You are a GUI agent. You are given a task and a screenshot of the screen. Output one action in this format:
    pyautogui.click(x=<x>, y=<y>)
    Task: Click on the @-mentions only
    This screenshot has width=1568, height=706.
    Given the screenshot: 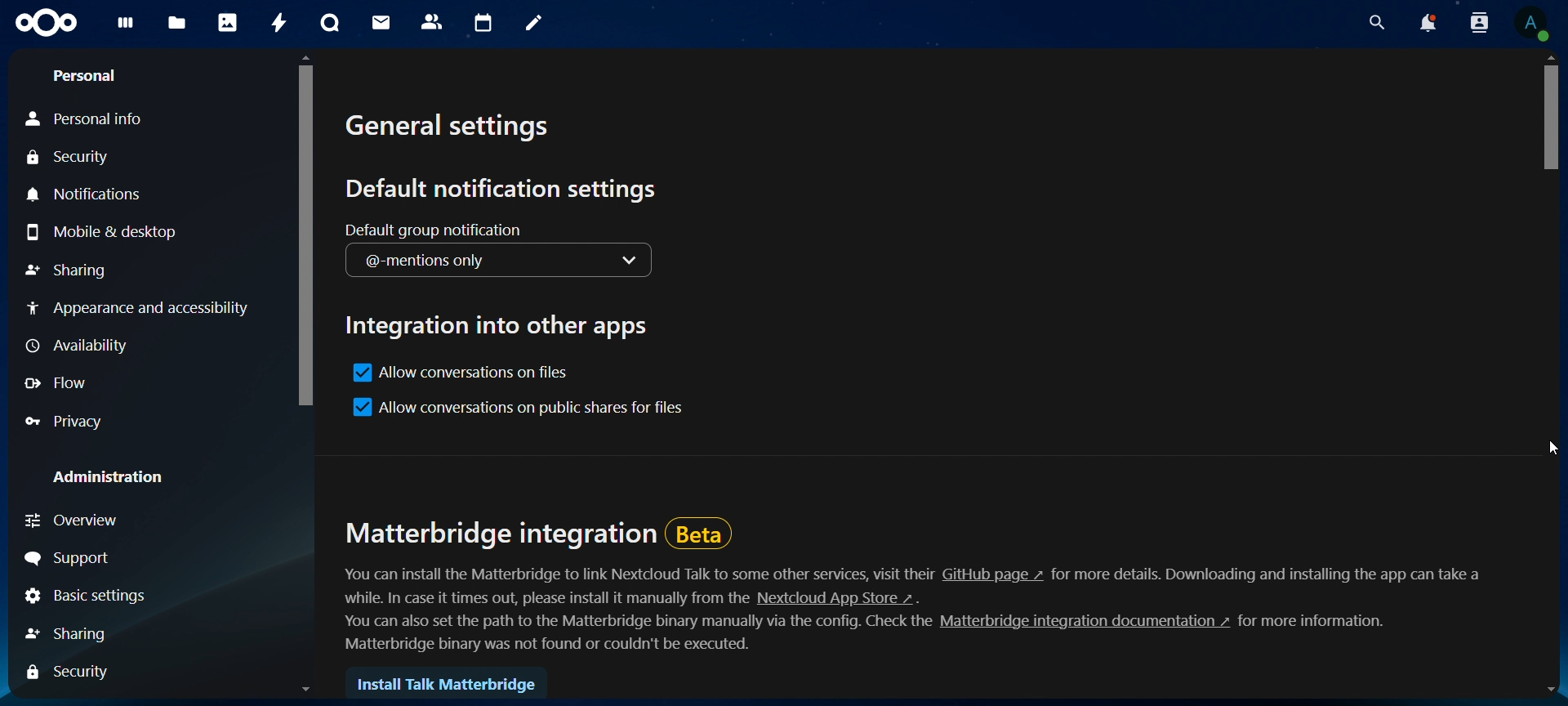 What is the action you would take?
    pyautogui.click(x=506, y=263)
    